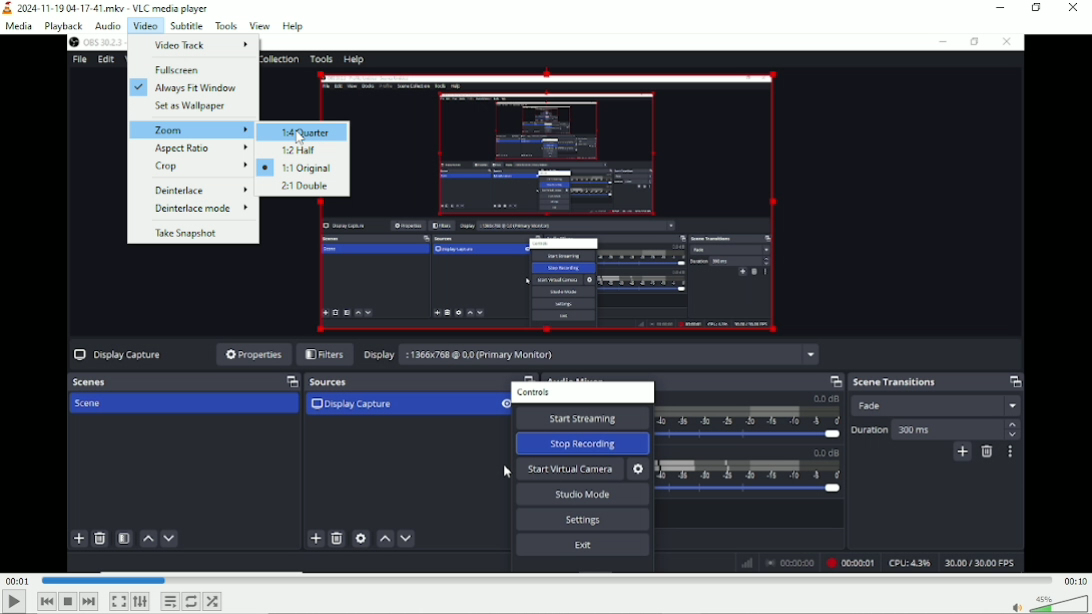 The height and width of the screenshot is (614, 1092). What do you see at coordinates (191, 129) in the screenshot?
I see `Zoom` at bounding box center [191, 129].